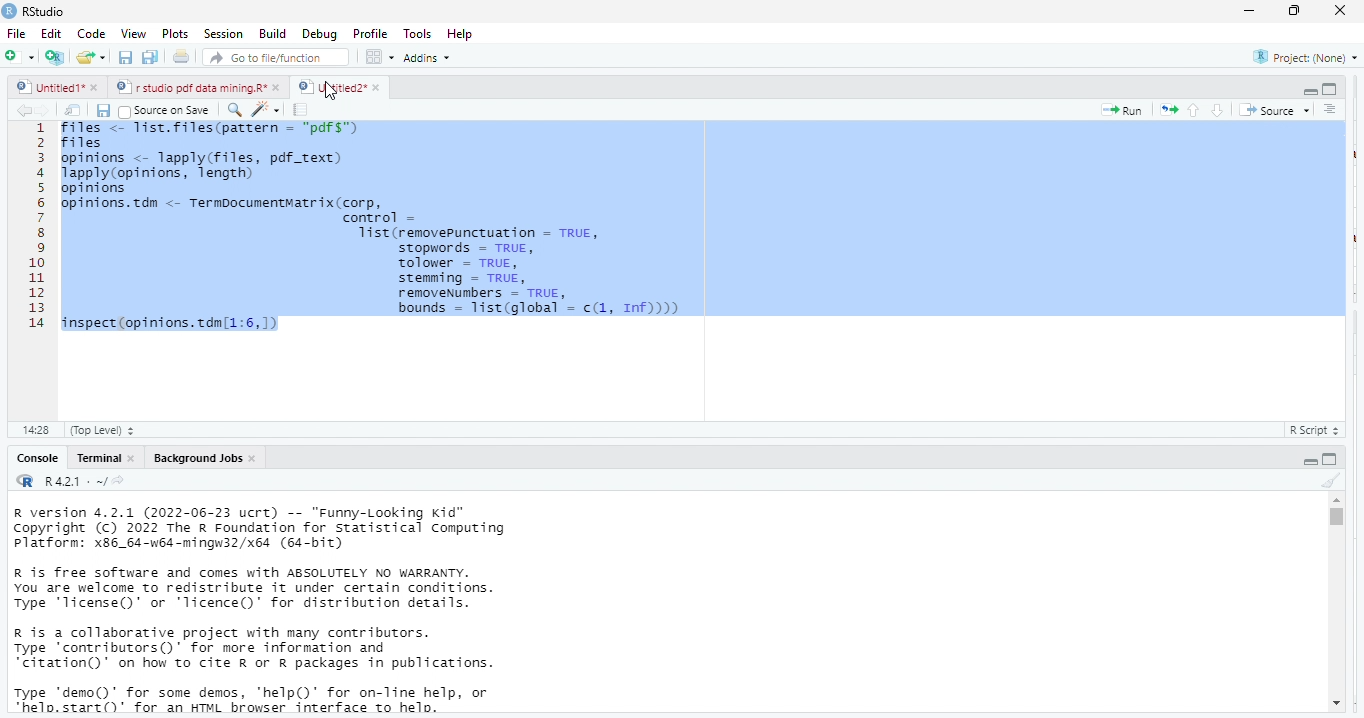 Image resolution: width=1364 pixels, height=718 pixels. What do you see at coordinates (1249, 10) in the screenshot?
I see `minimize` at bounding box center [1249, 10].